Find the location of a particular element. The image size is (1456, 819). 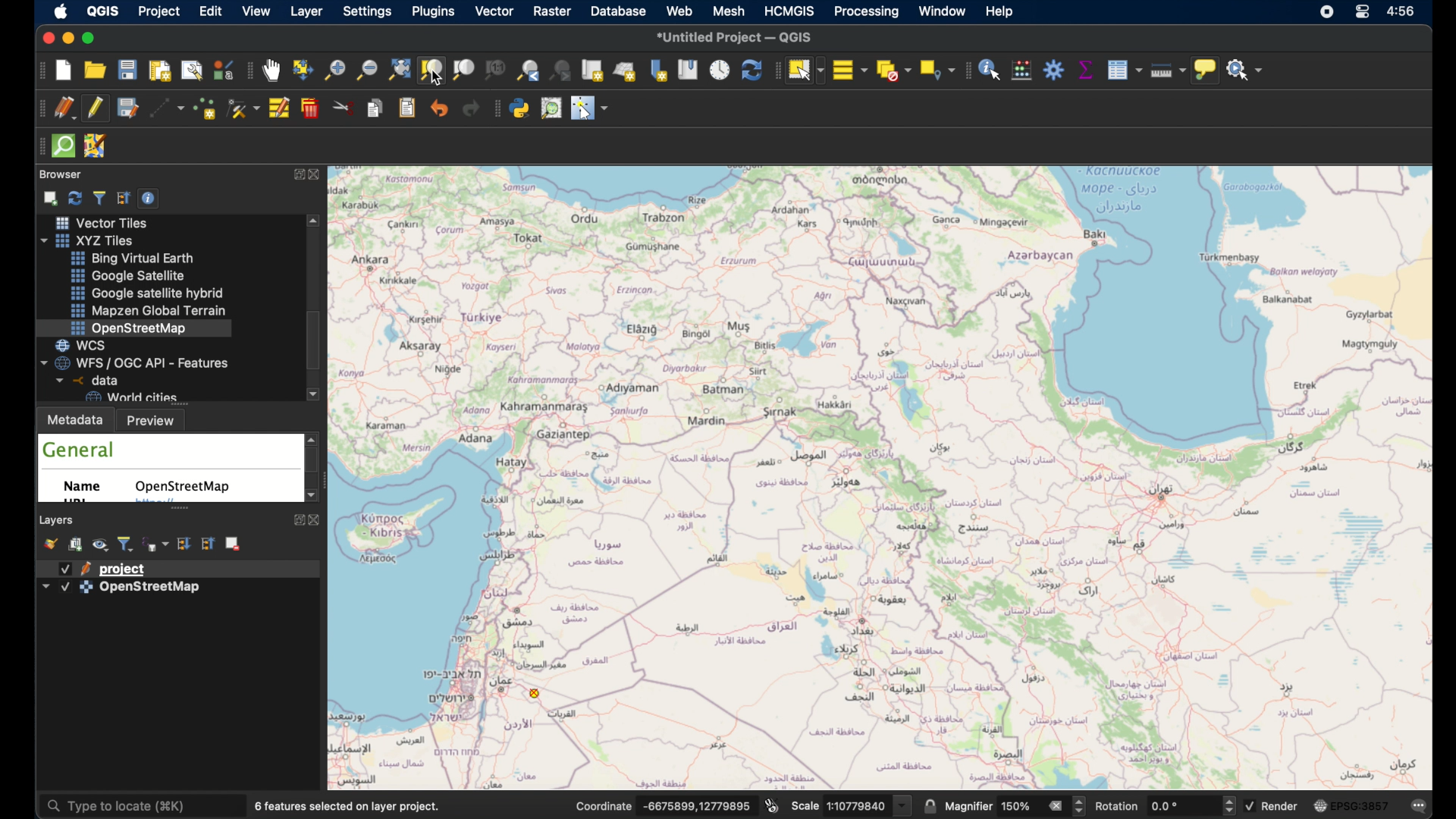

collapse all is located at coordinates (207, 543).